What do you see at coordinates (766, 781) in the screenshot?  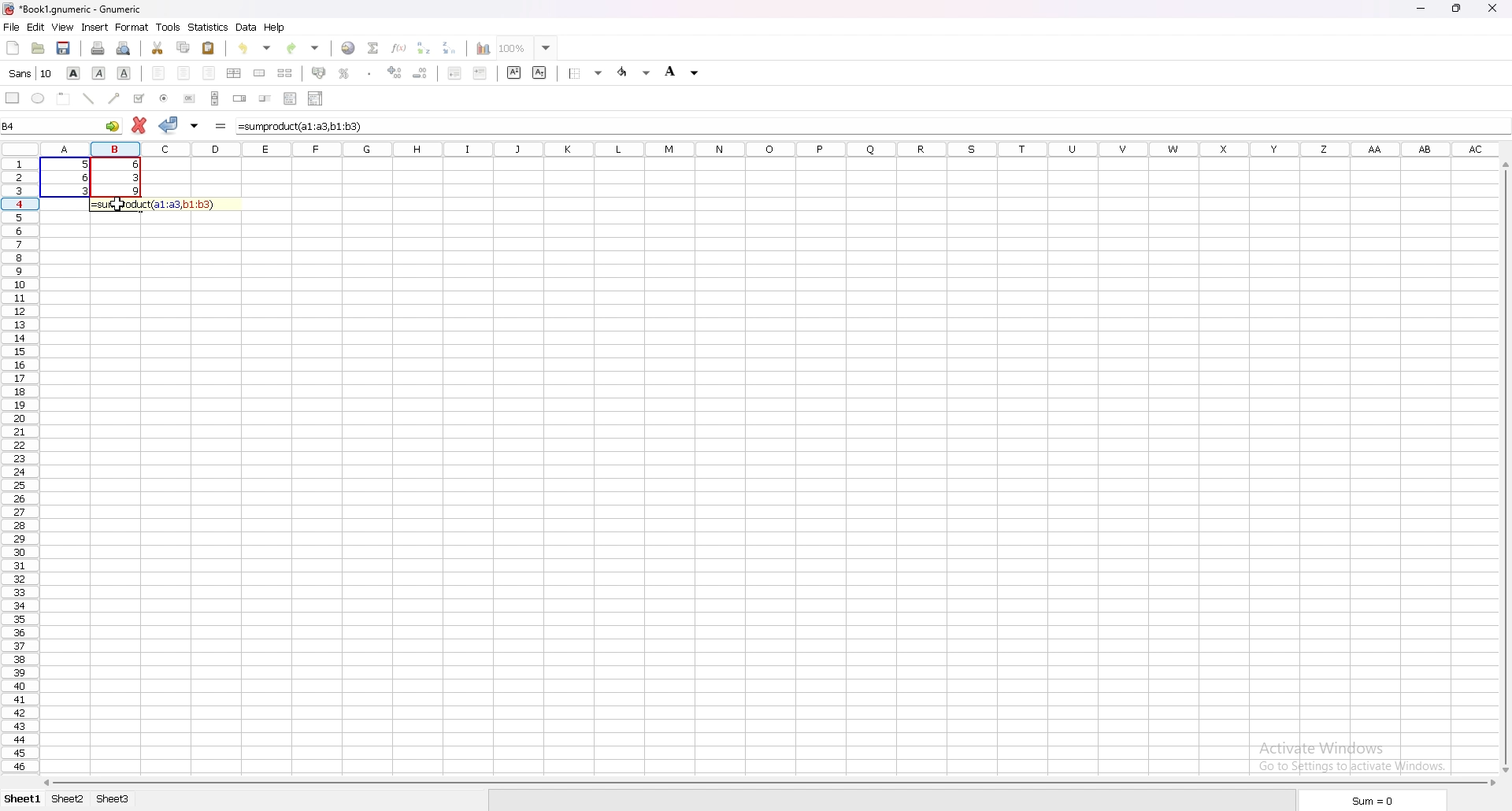 I see `scroll bar` at bounding box center [766, 781].